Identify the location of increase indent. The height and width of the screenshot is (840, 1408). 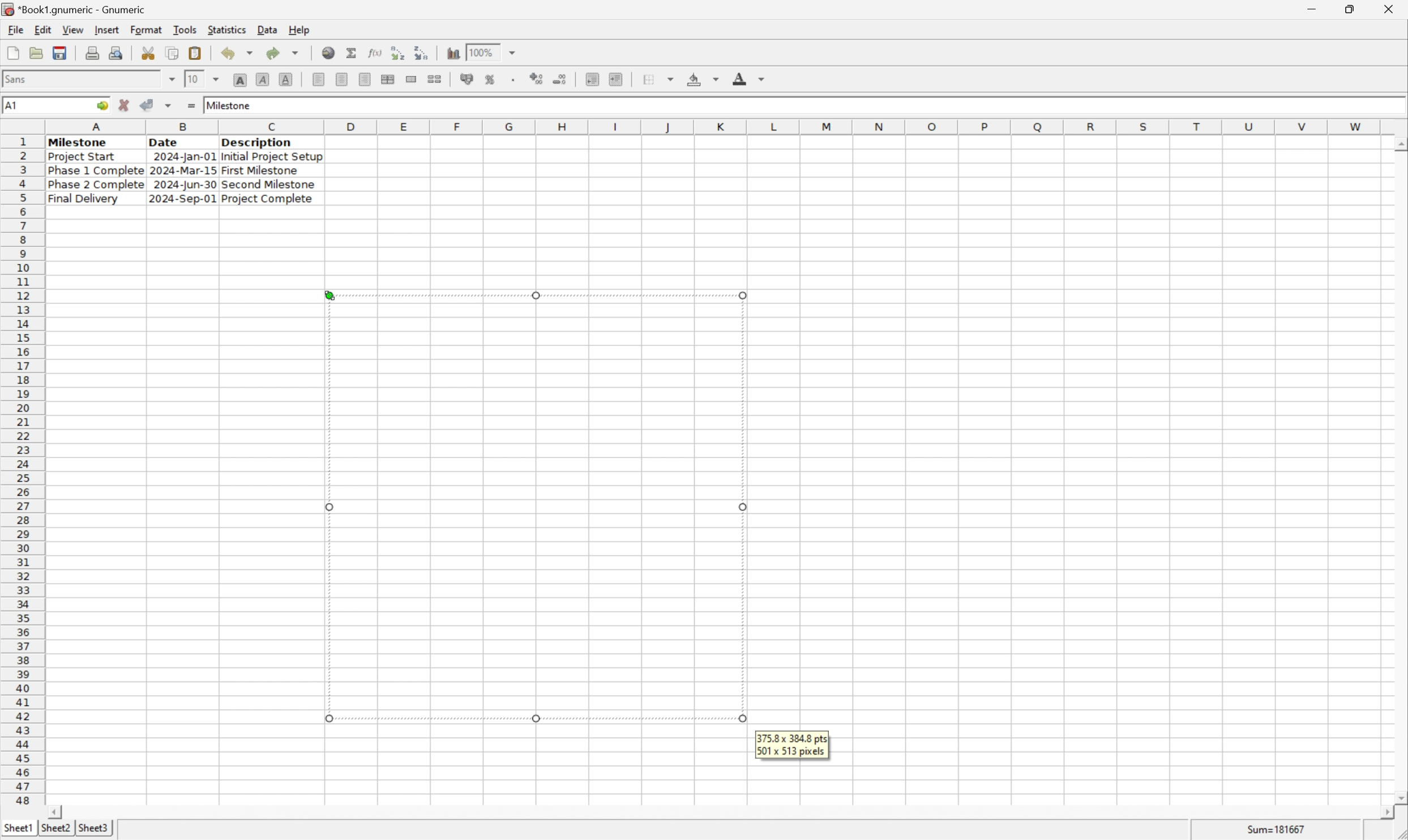
(619, 79).